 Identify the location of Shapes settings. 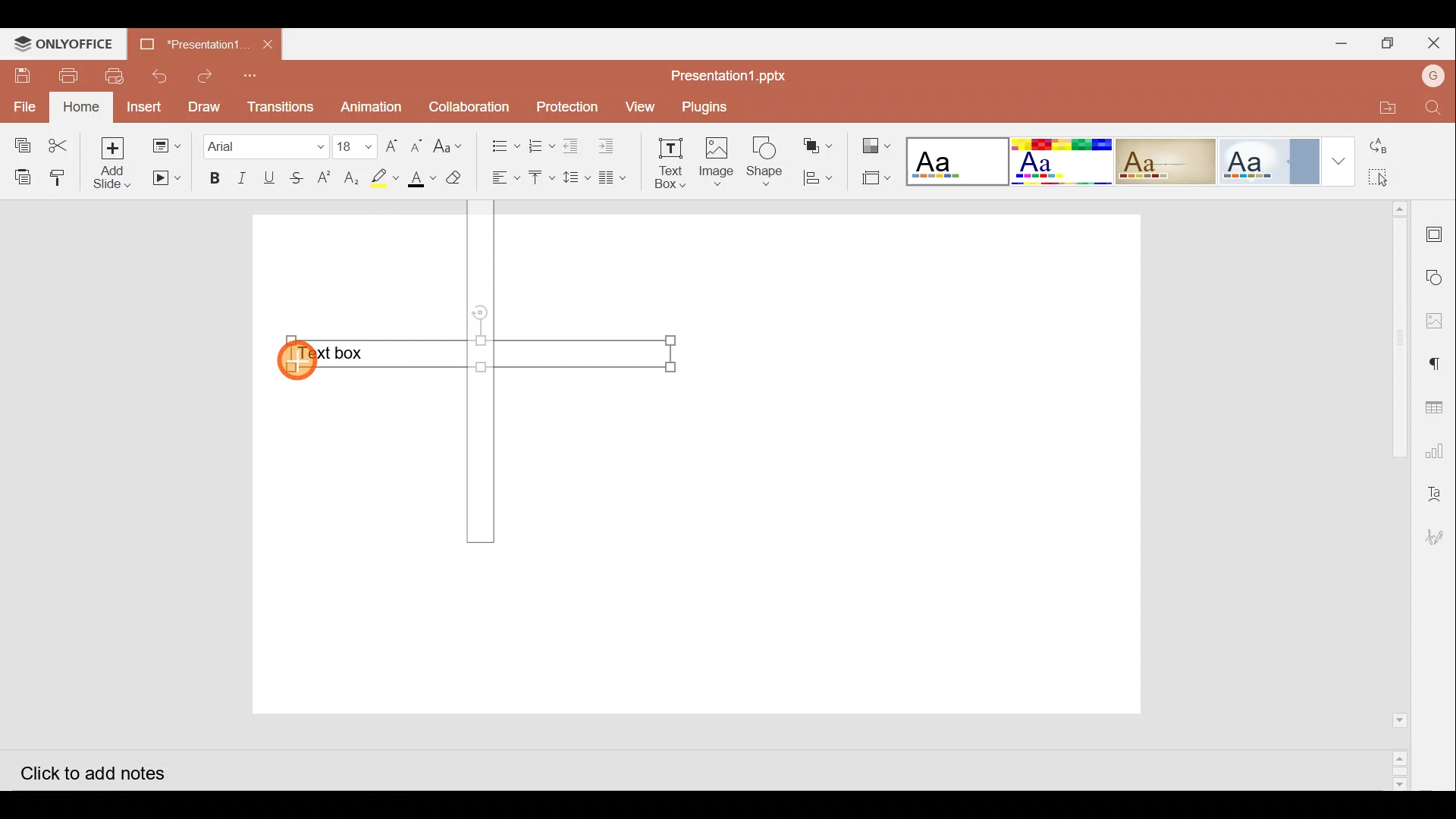
(1438, 279).